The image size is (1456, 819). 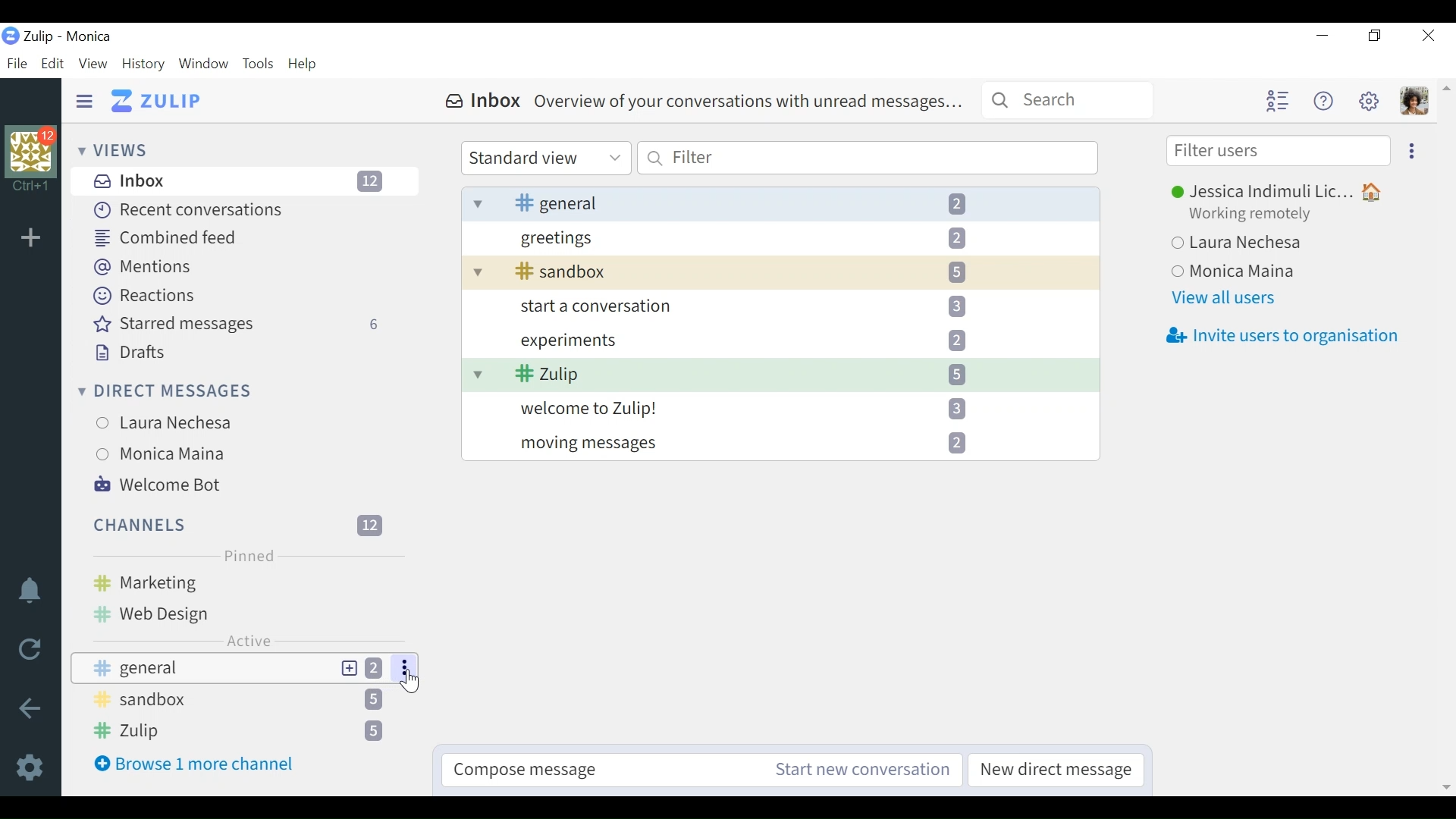 What do you see at coordinates (202, 668) in the screenshot?
I see `General` at bounding box center [202, 668].